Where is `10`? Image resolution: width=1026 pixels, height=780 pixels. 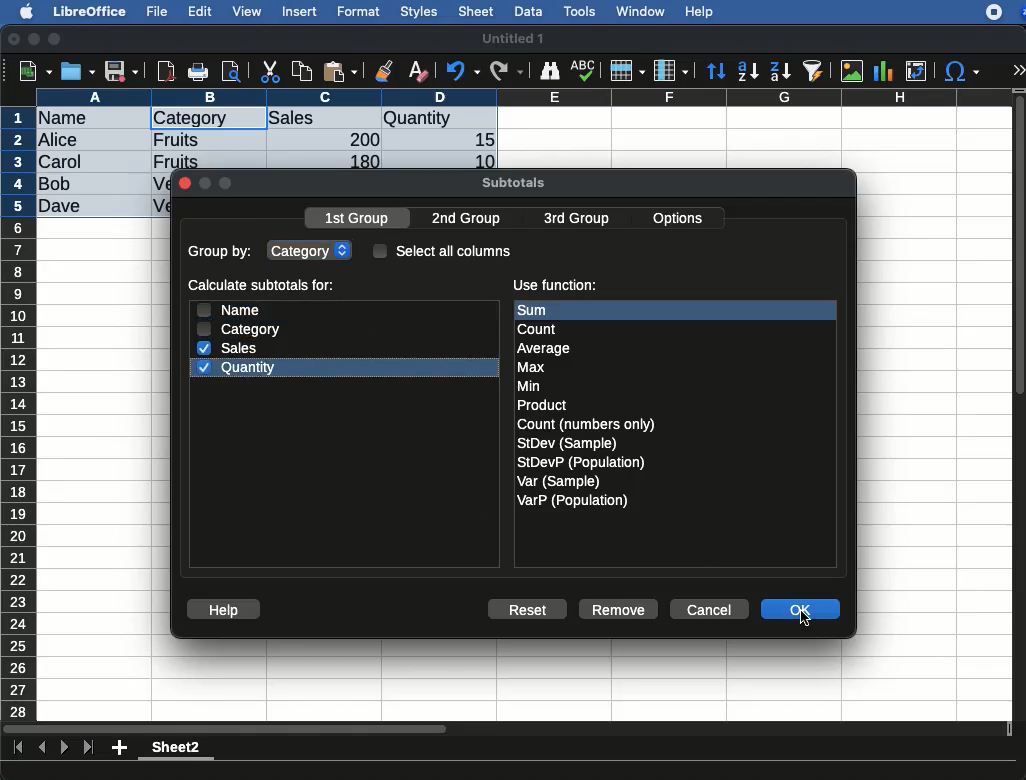 10 is located at coordinates (479, 160).